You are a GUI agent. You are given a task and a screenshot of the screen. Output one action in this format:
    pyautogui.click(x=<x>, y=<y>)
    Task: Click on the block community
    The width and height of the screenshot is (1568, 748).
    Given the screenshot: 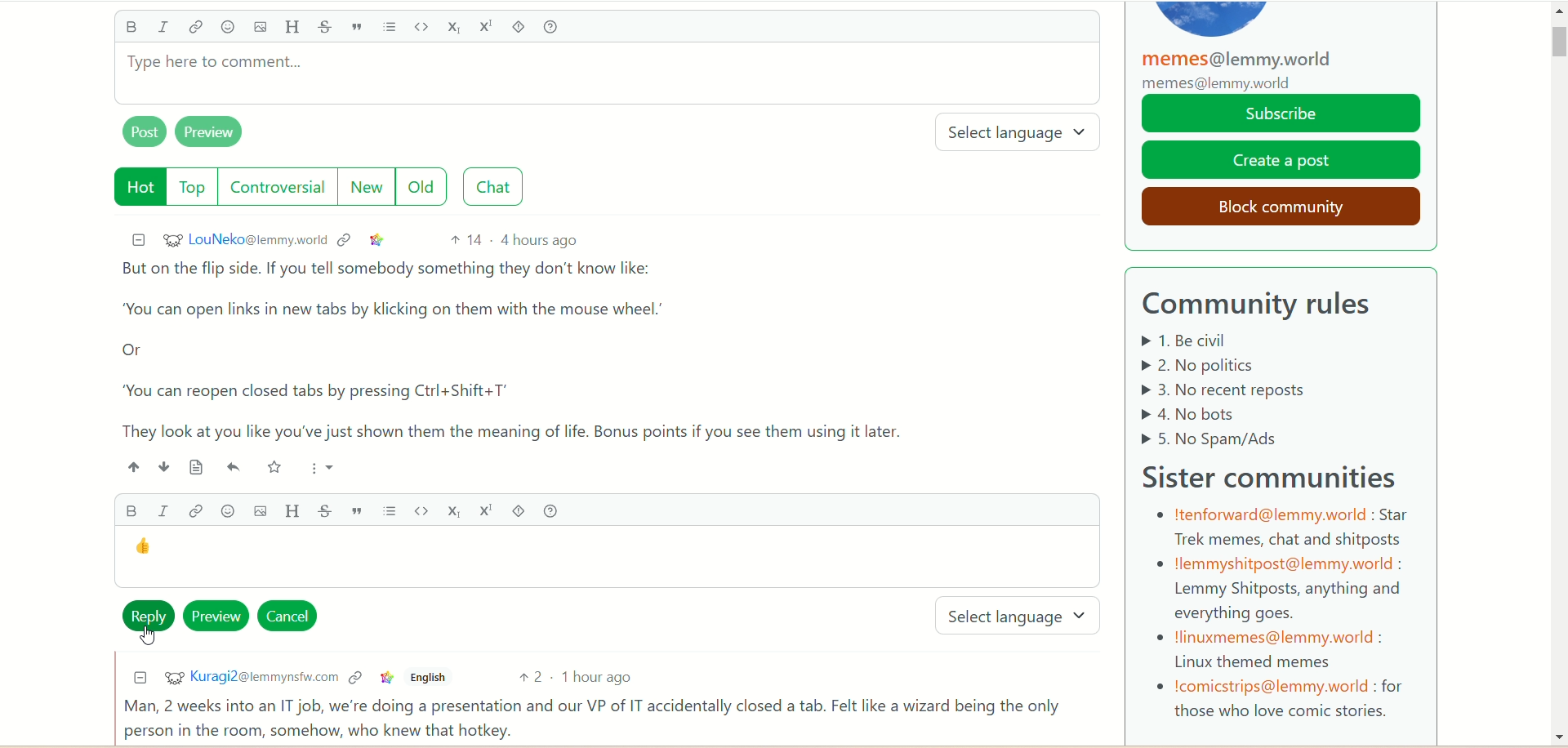 What is the action you would take?
    pyautogui.click(x=1275, y=204)
    